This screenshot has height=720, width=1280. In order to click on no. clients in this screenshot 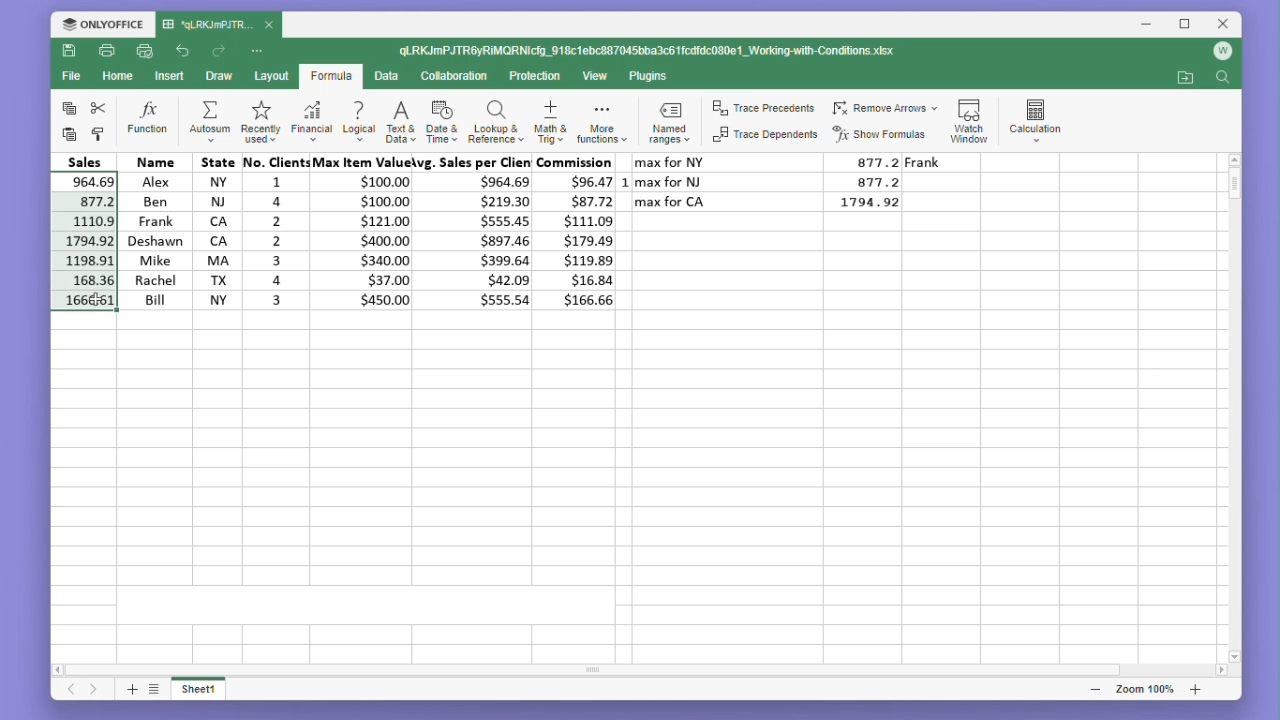, I will do `click(275, 229)`.